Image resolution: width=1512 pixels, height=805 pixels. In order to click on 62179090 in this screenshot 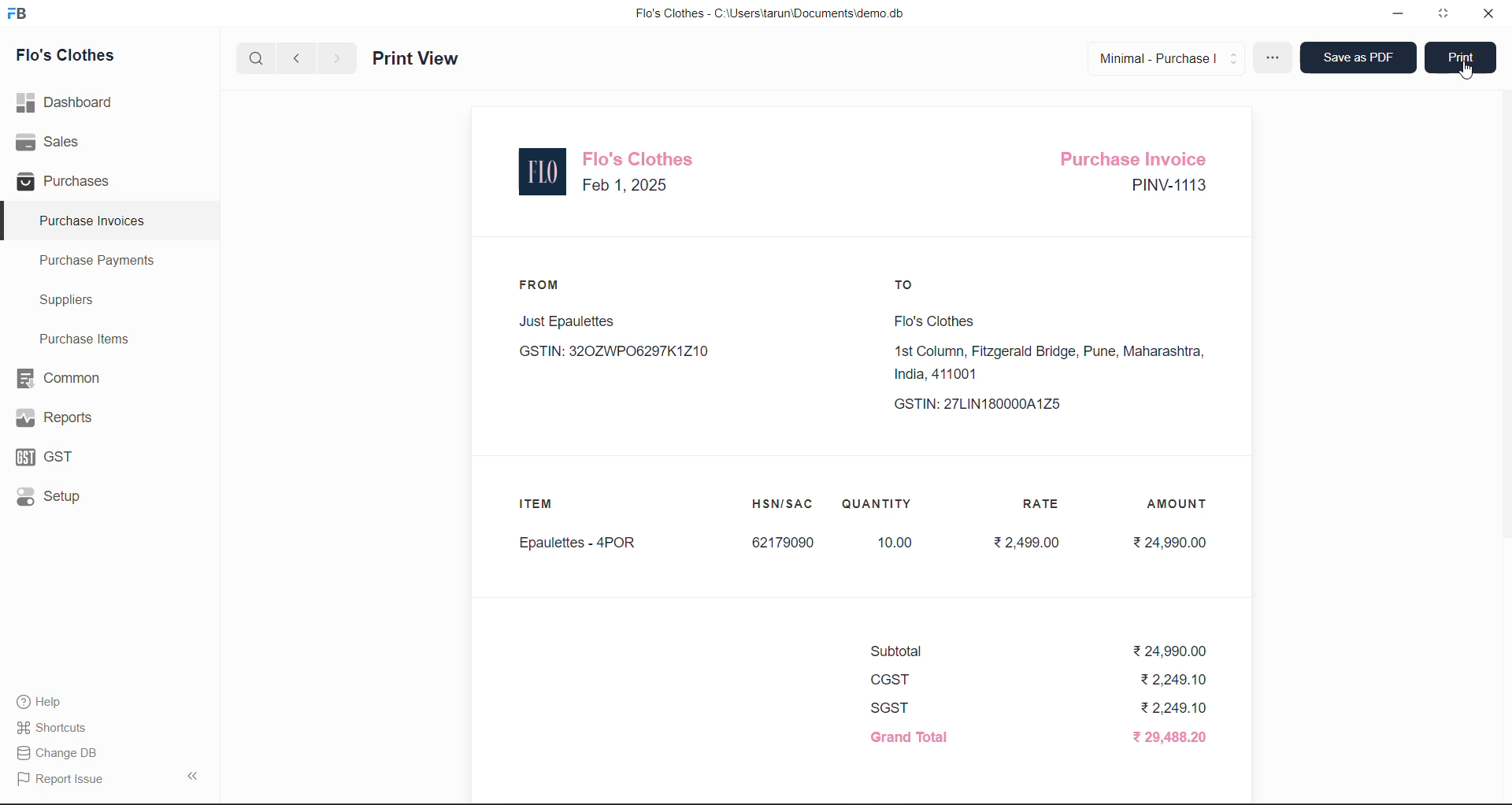, I will do `click(785, 542)`.